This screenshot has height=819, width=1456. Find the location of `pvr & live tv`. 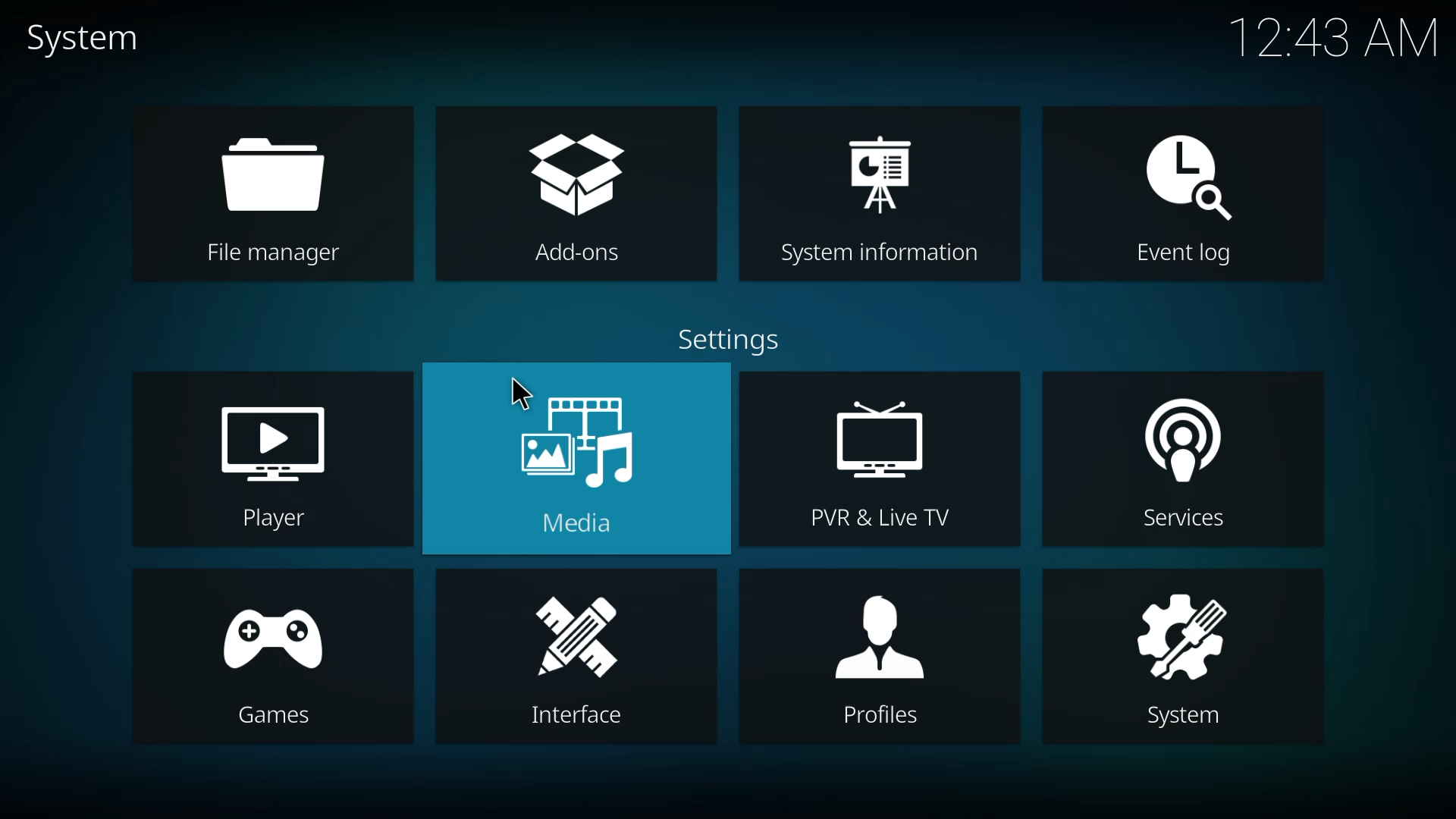

pvr & live tv is located at coordinates (890, 457).